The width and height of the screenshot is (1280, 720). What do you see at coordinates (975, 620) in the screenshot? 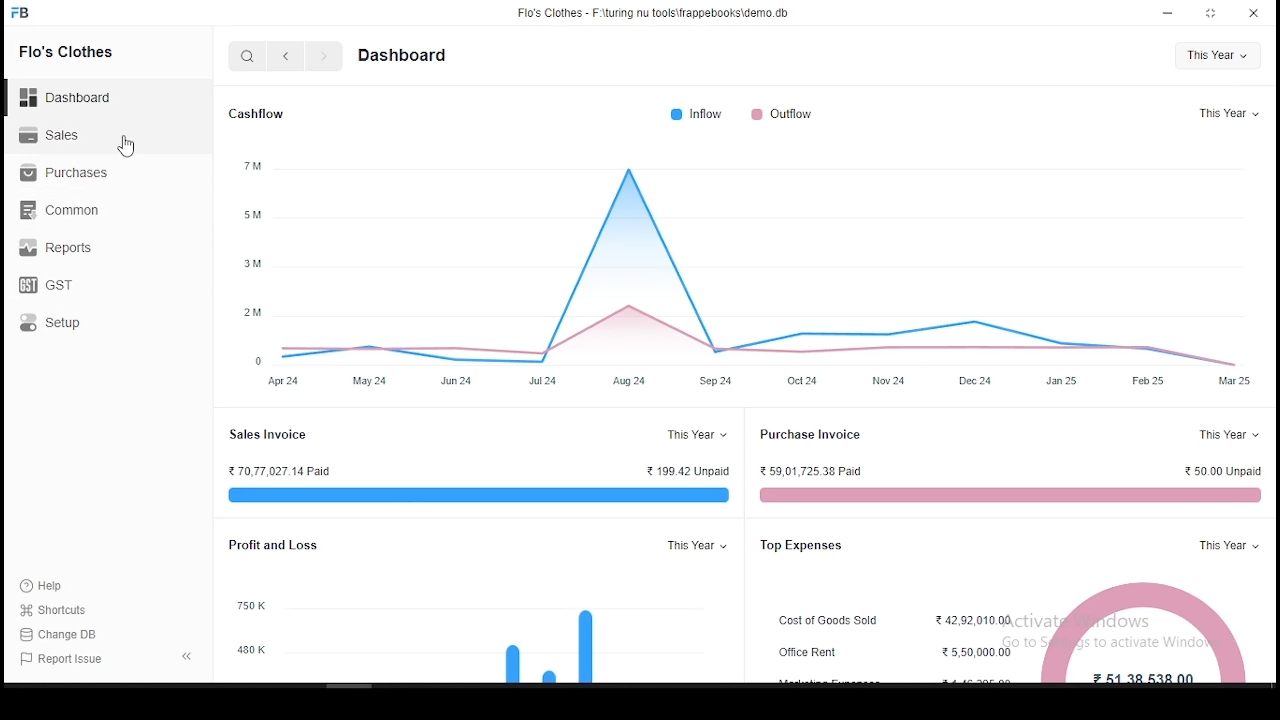
I see `24292,01000.¢ 1` at bounding box center [975, 620].